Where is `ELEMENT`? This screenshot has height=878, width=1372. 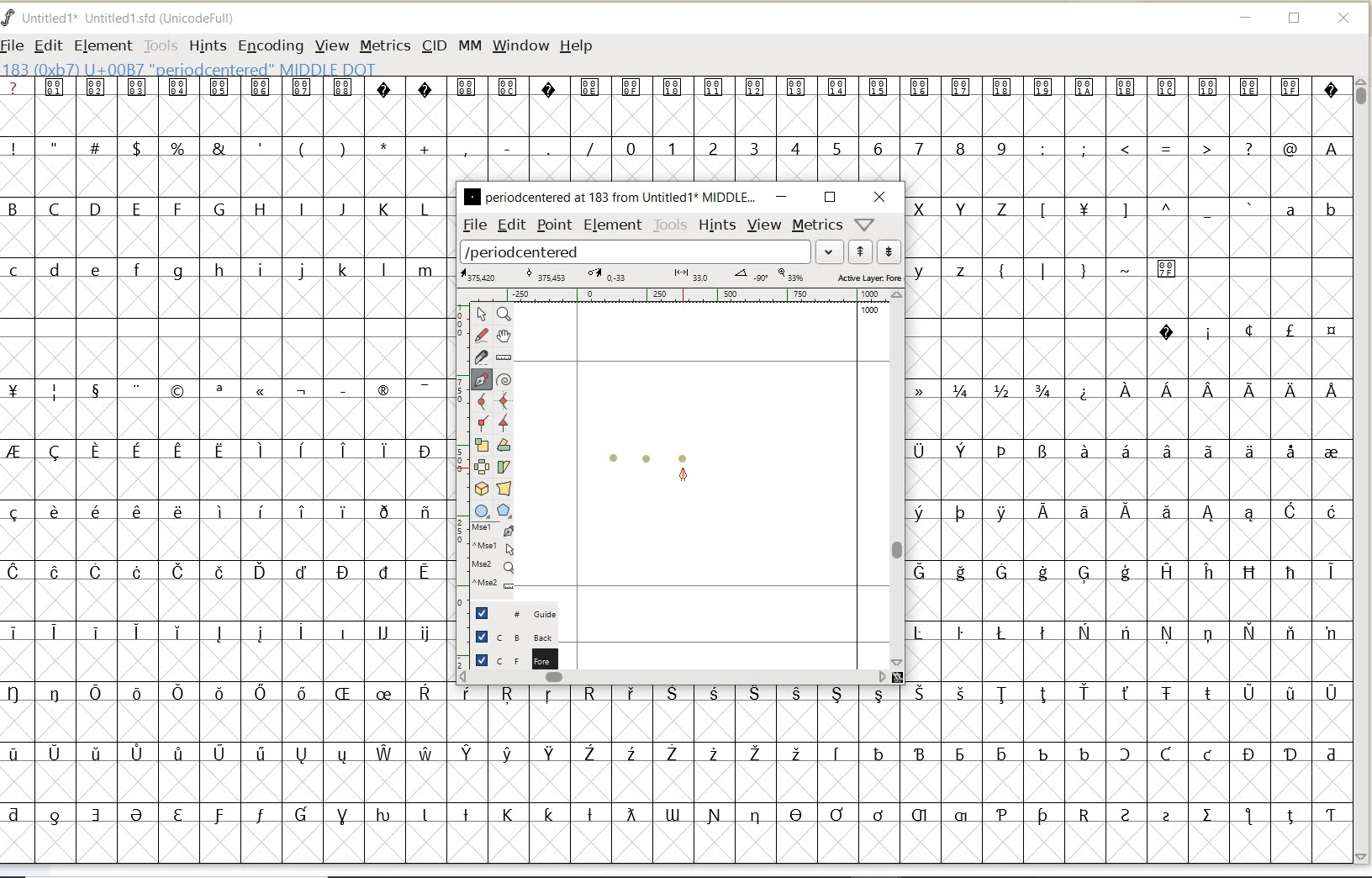 ELEMENT is located at coordinates (103, 45).